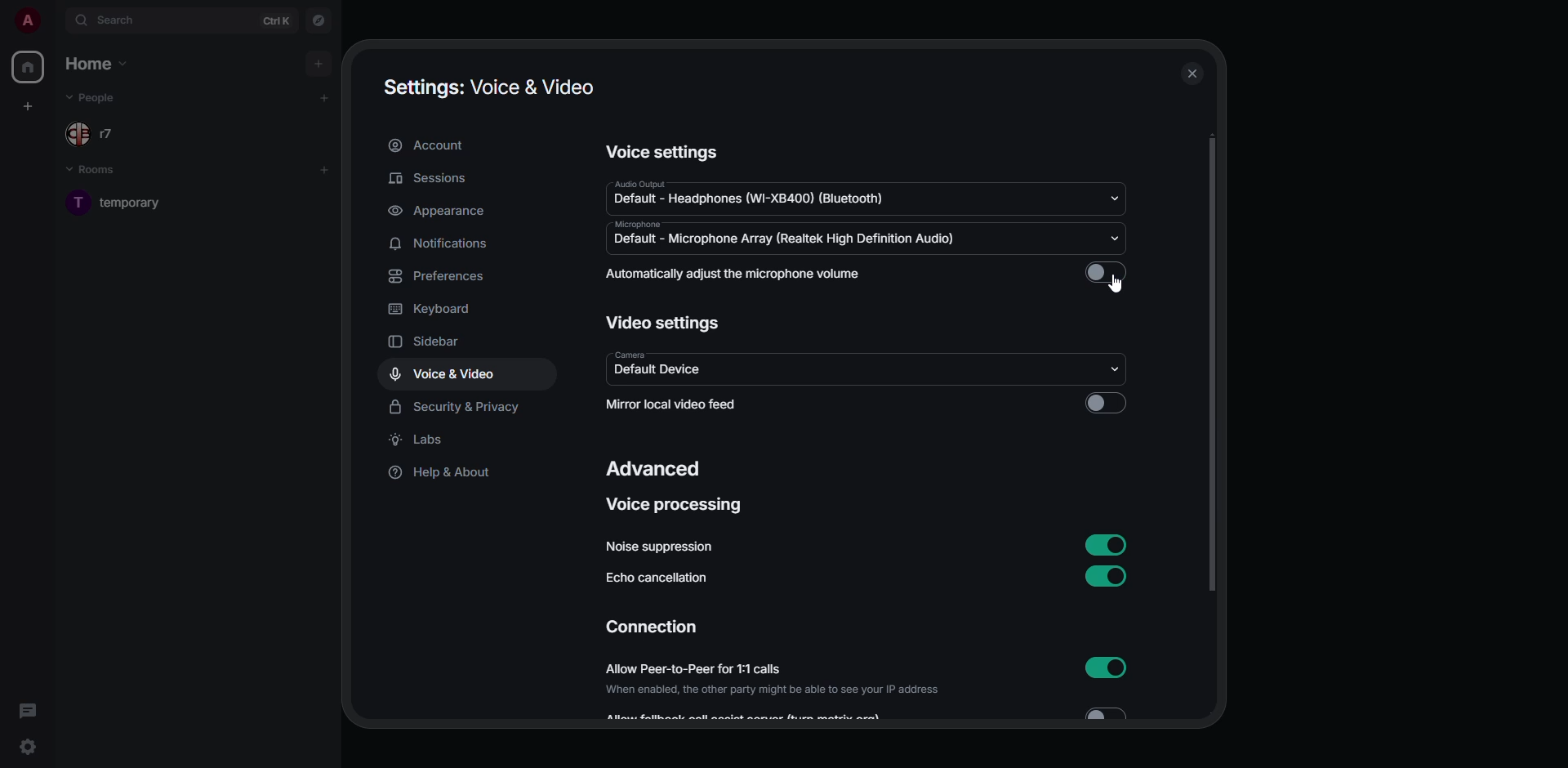 The image size is (1568, 768). What do you see at coordinates (430, 308) in the screenshot?
I see `keyboard` at bounding box center [430, 308].